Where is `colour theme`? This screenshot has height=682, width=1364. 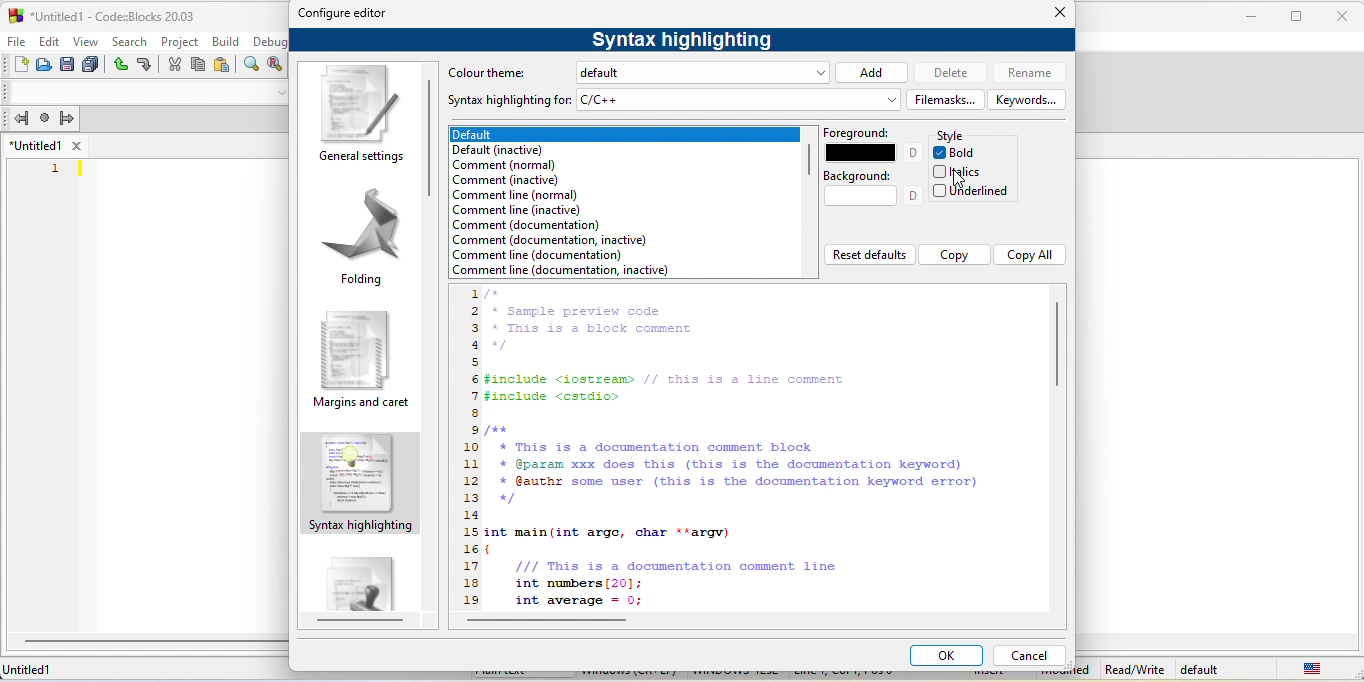
colour theme is located at coordinates (494, 74).